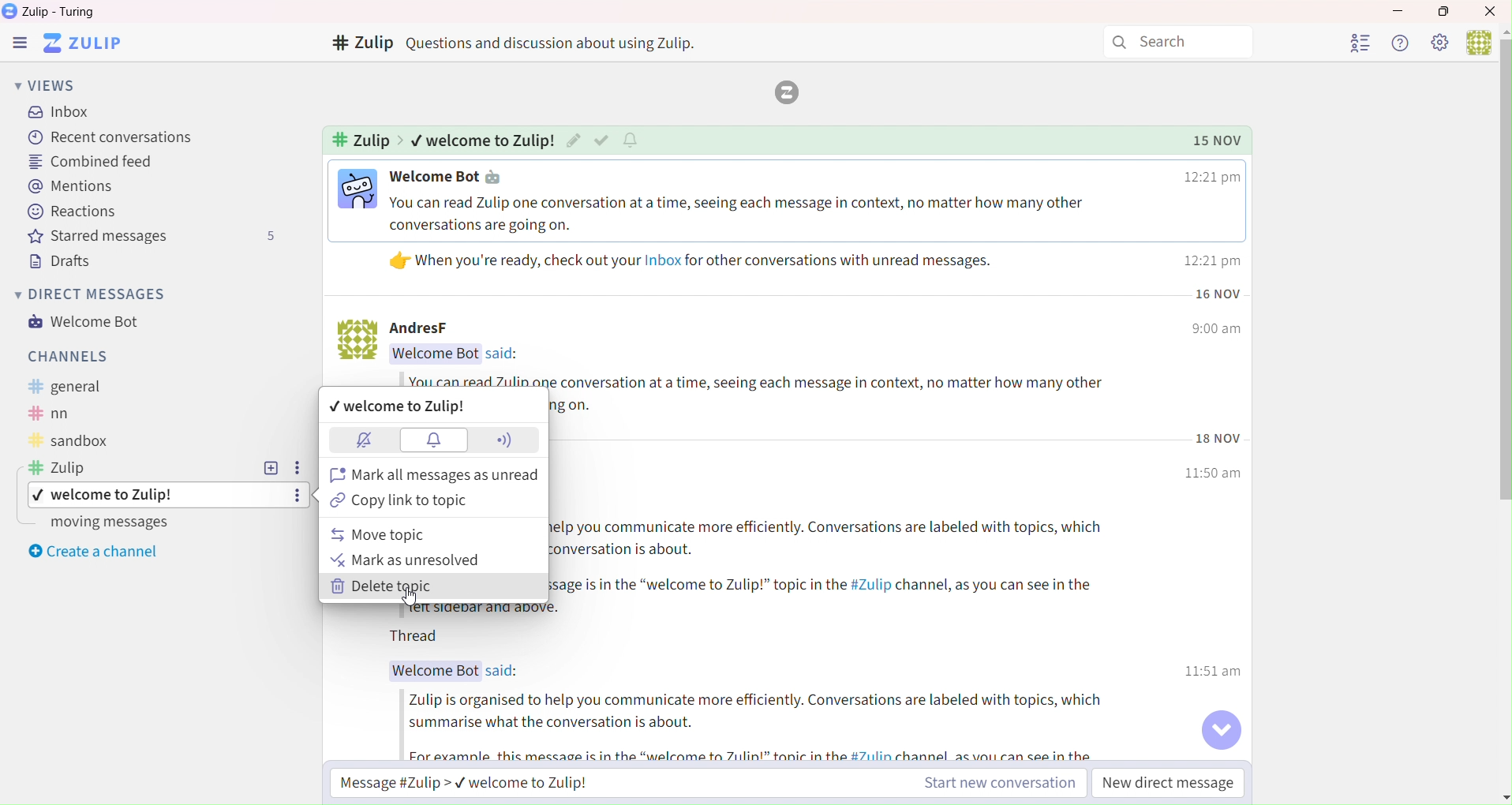 This screenshot has width=1512, height=805. What do you see at coordinates (62, 357) in the screenshot?
I see `Channels` at bounding box center [62, 357].